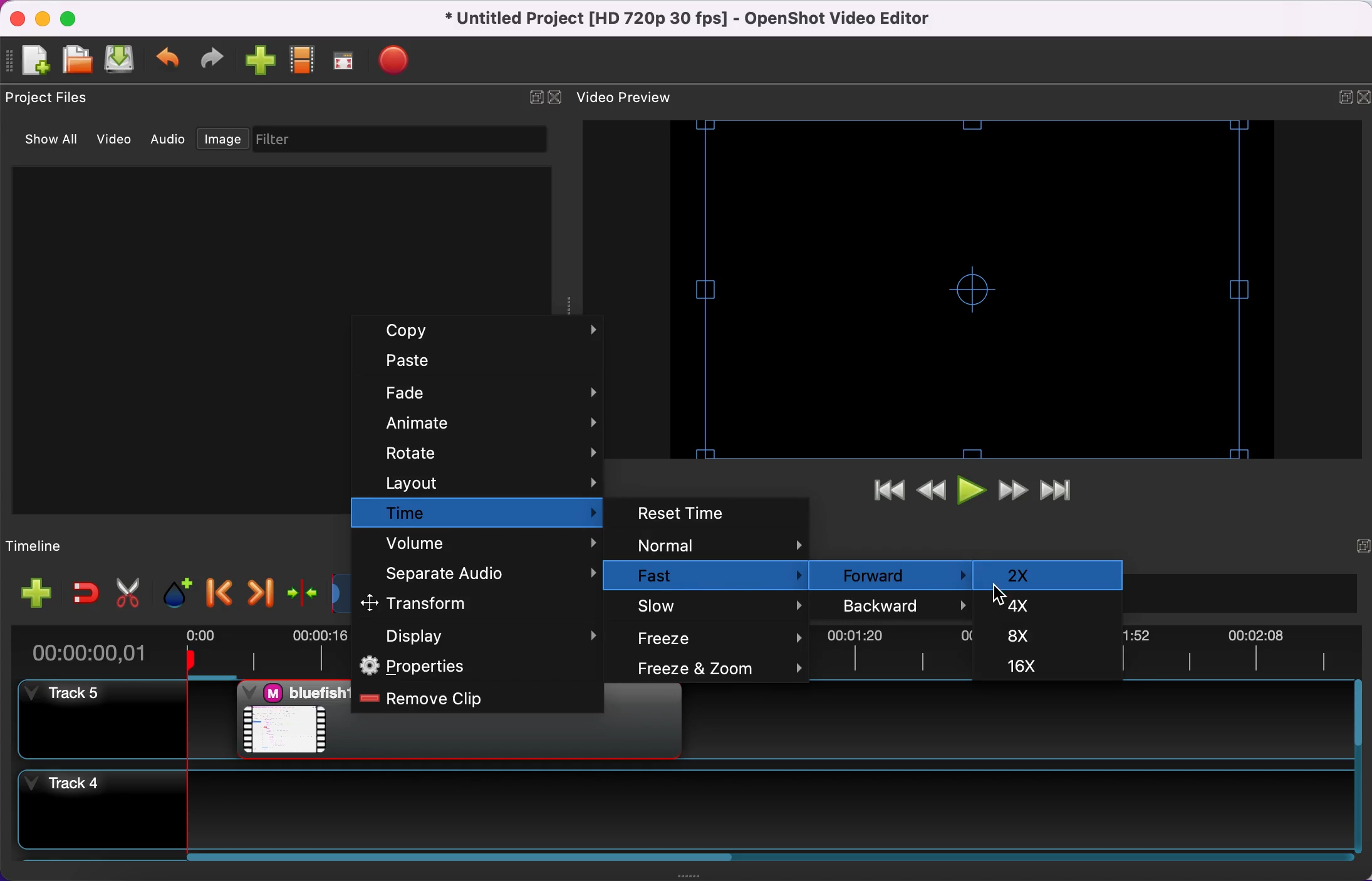 This screenshot has width=1372, height=881. What do you see at coordinates (720, 607) in the screenshot?
I see `slow` at bounding box center [720, 607].